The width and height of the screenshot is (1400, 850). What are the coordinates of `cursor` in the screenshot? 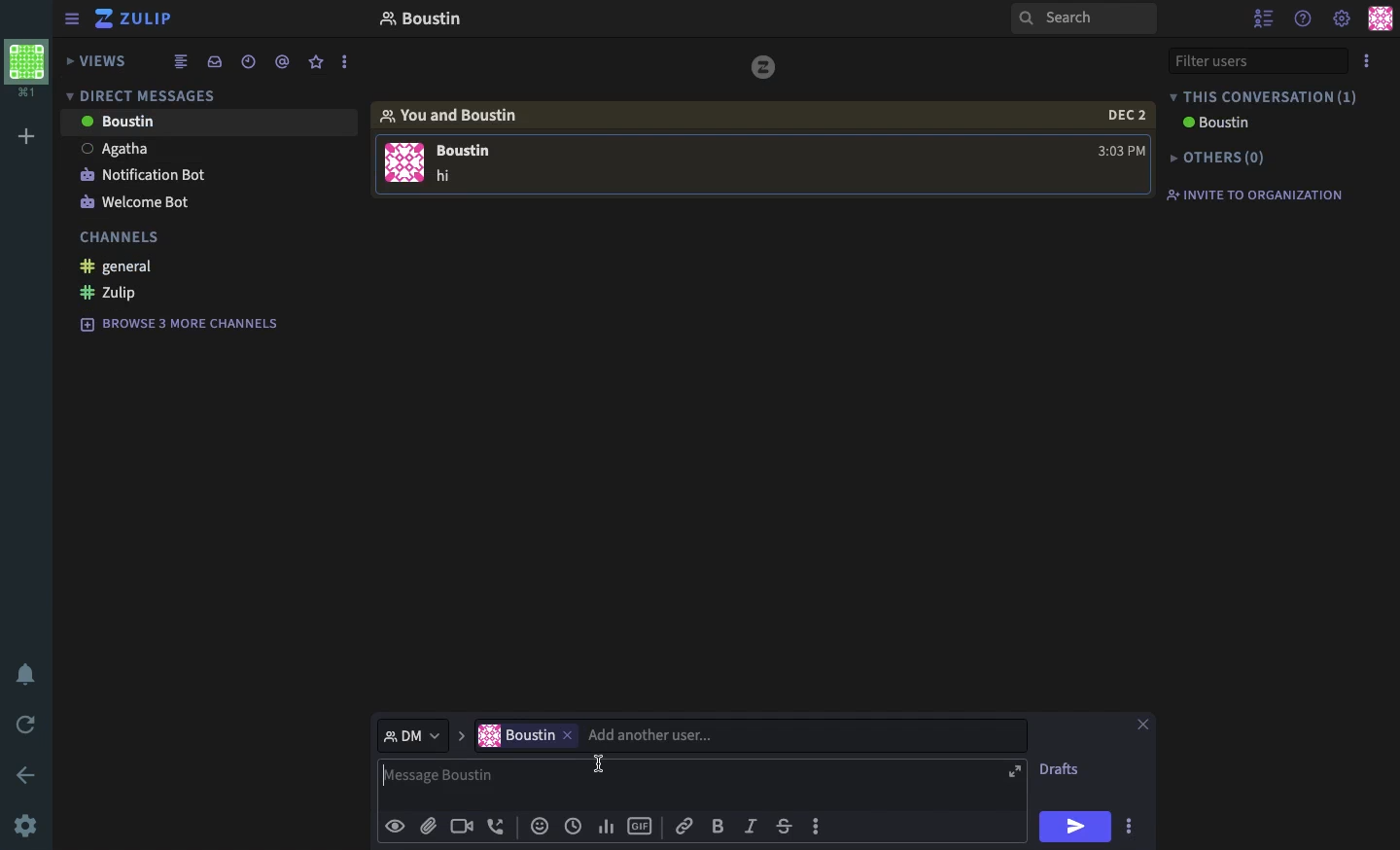 It's located at (602, 765).